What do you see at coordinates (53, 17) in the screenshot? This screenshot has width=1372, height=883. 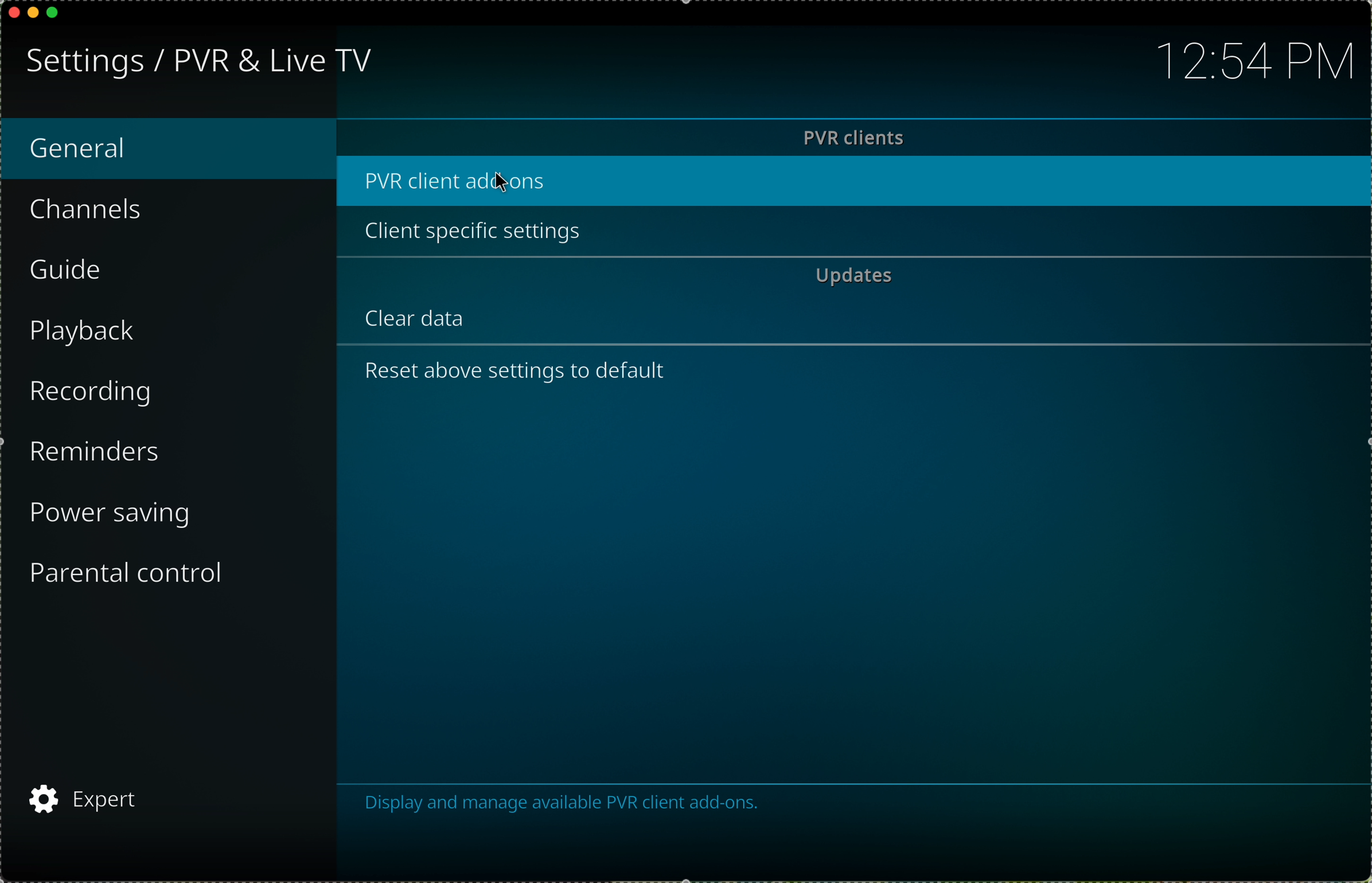 I see `maximize` at bounding box center [53, 17].